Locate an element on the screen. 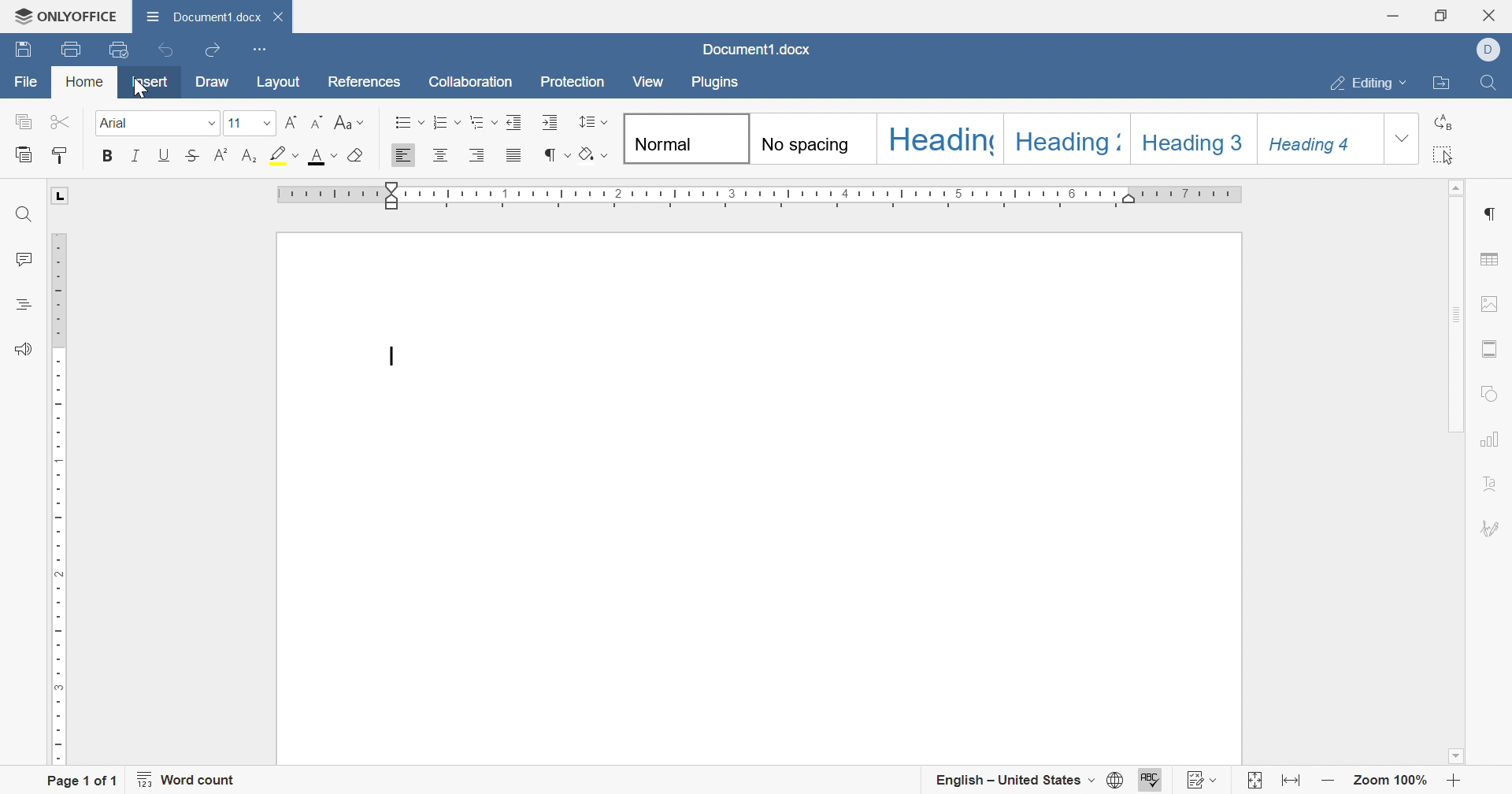  Document1.docx is located at coordinates (206, 17).